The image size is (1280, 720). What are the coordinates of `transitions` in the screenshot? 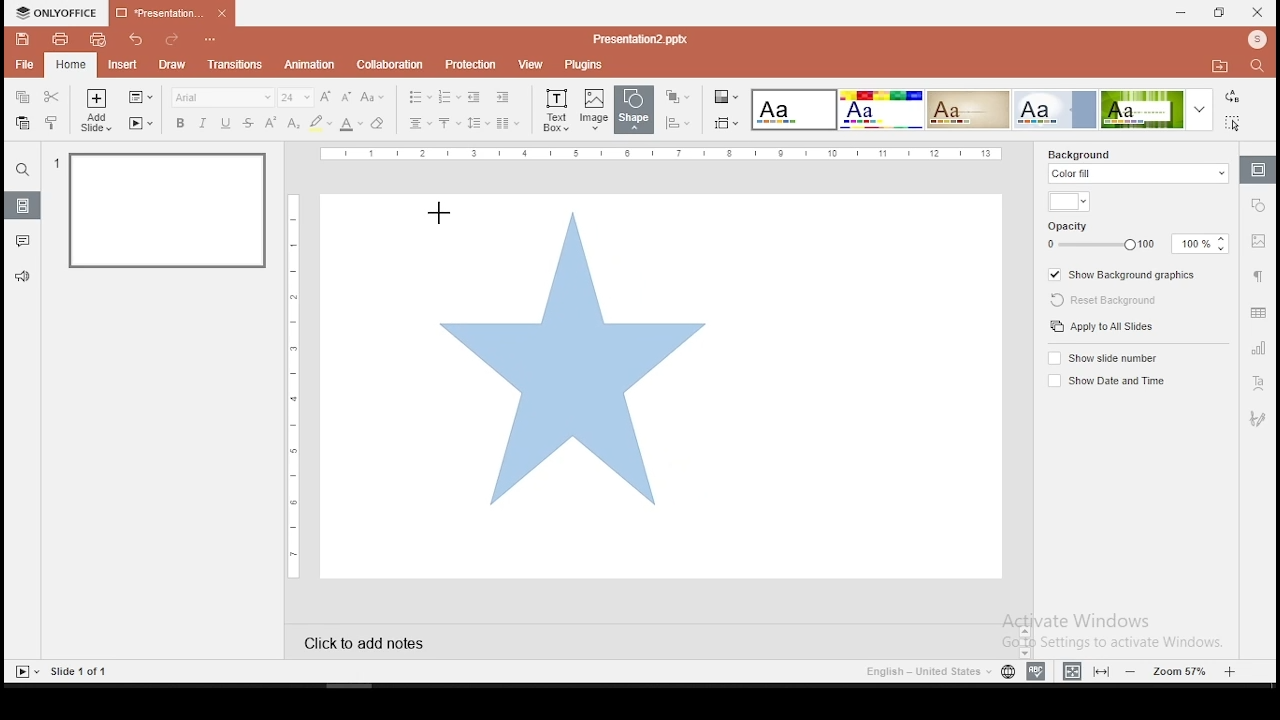 It's located at (235, 67).